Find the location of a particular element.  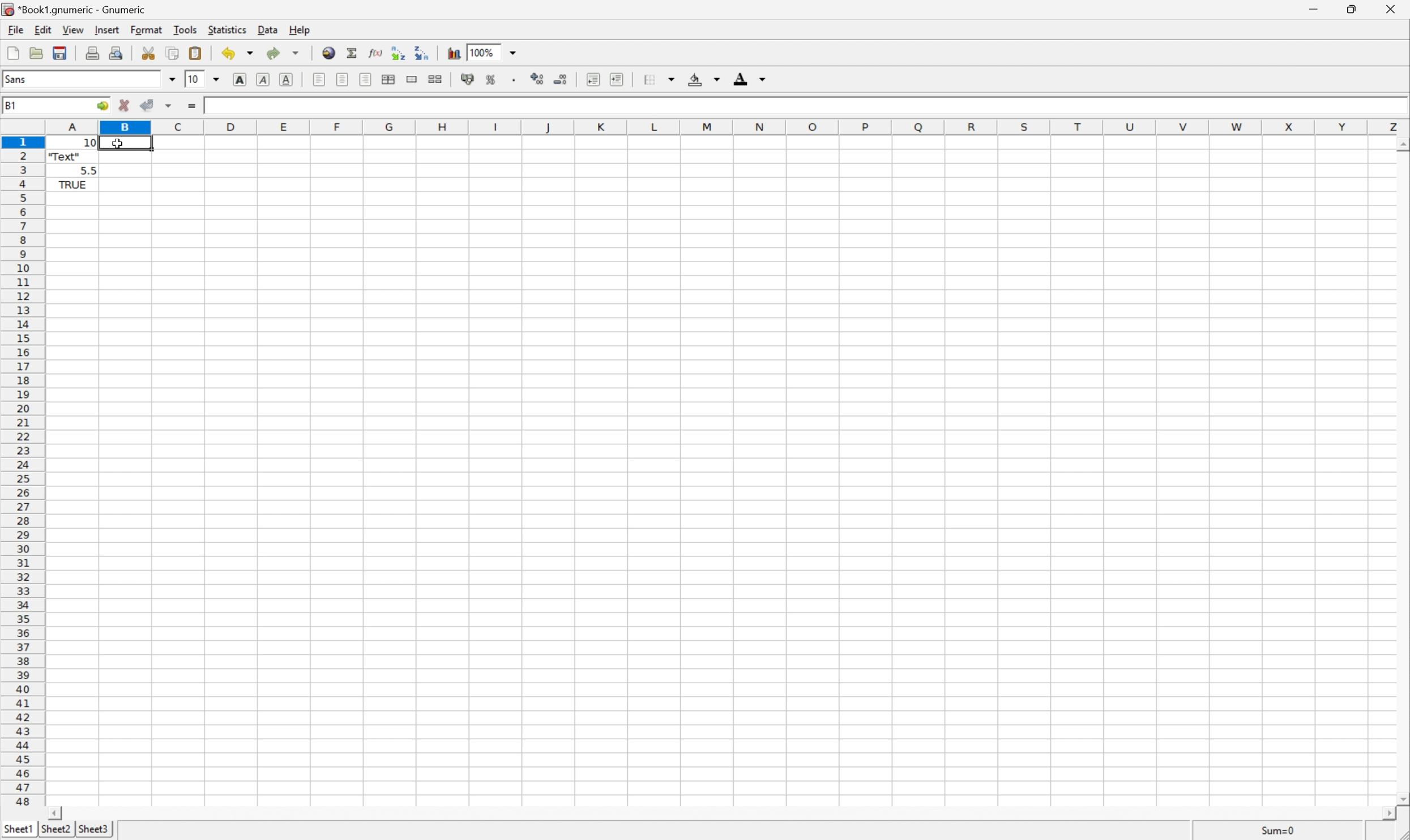

Cursor is located at coordinates (119, 143).